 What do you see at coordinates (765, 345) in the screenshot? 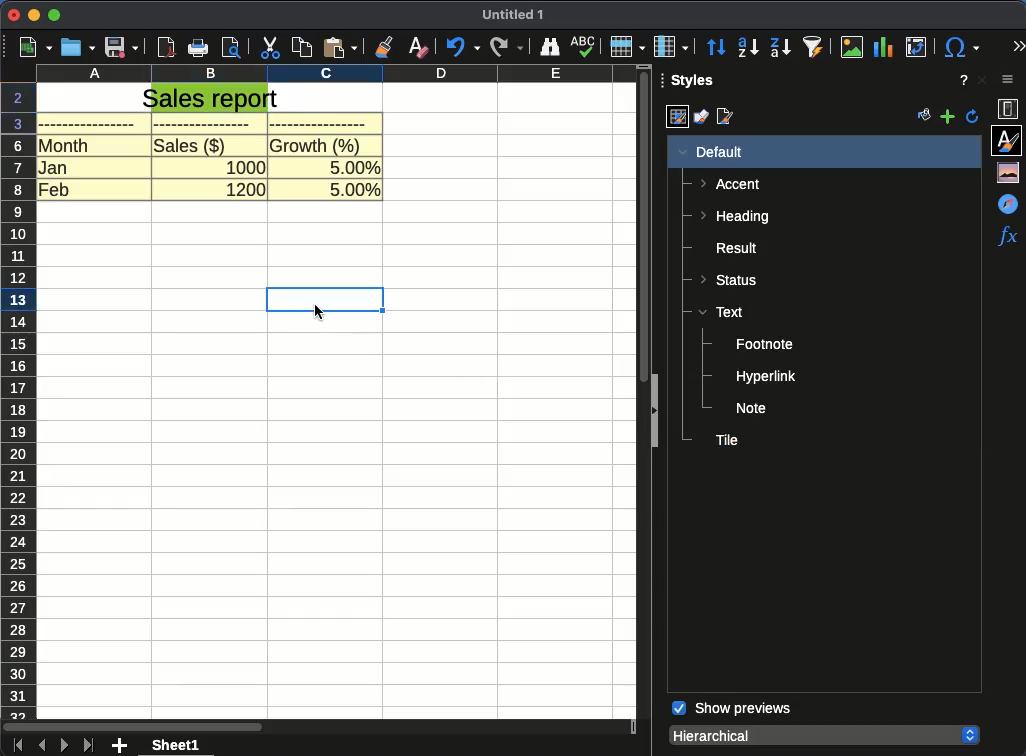
I see `footnote` at bounding box center [765, 345].